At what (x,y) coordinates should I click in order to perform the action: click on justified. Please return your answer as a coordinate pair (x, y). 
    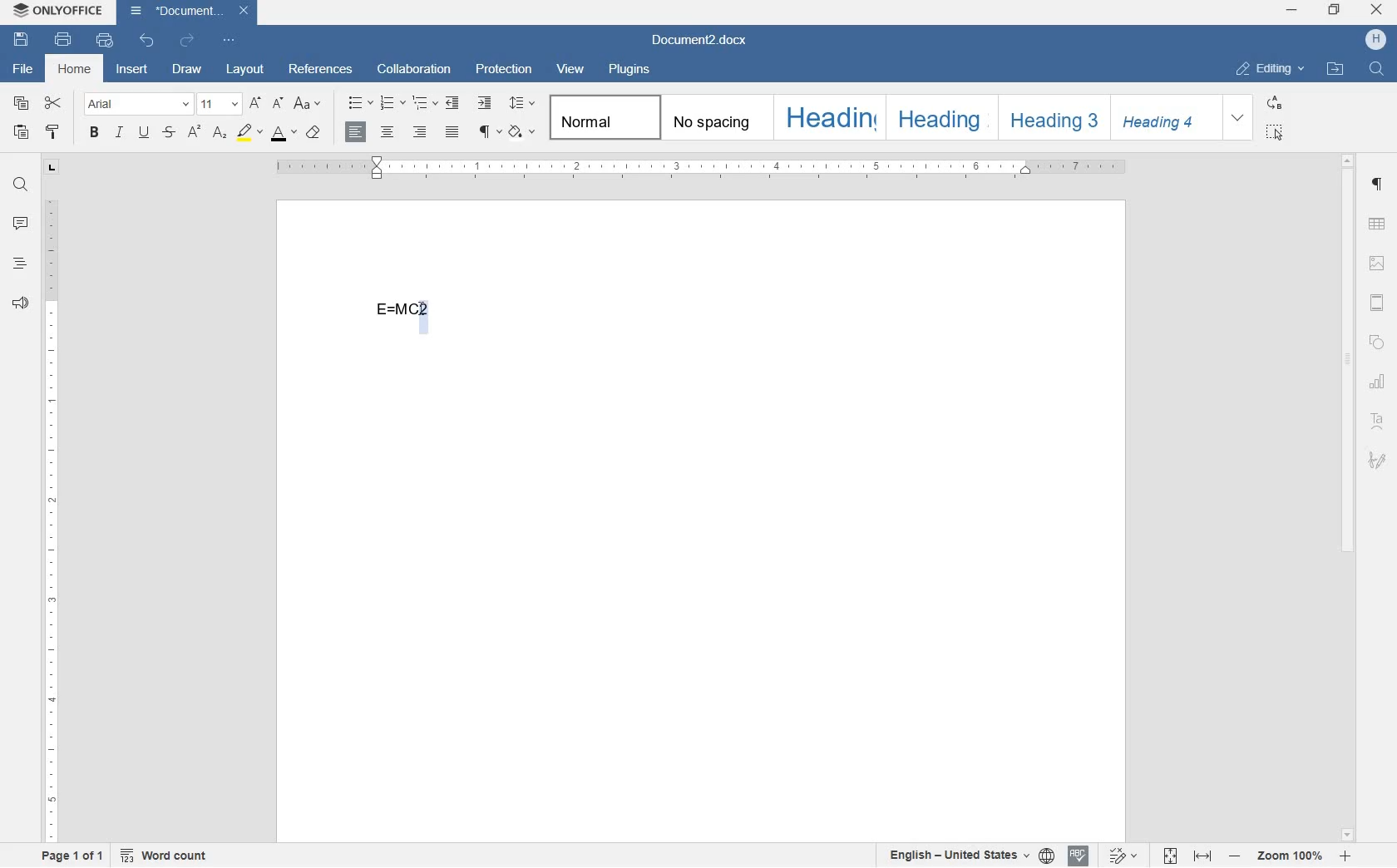
    Looking at the image, I should click on (453, 131).